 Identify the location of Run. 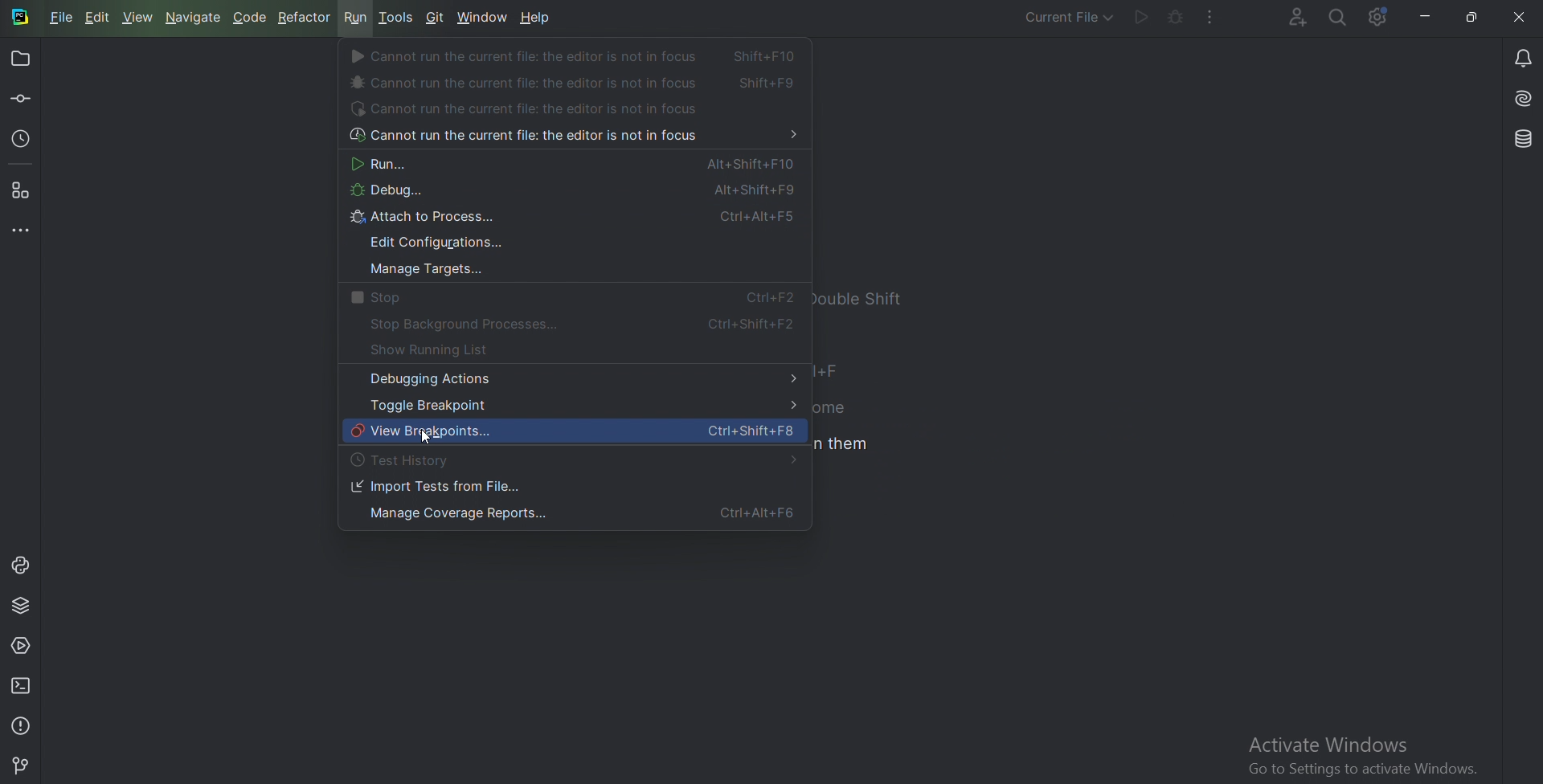
(355, 18).